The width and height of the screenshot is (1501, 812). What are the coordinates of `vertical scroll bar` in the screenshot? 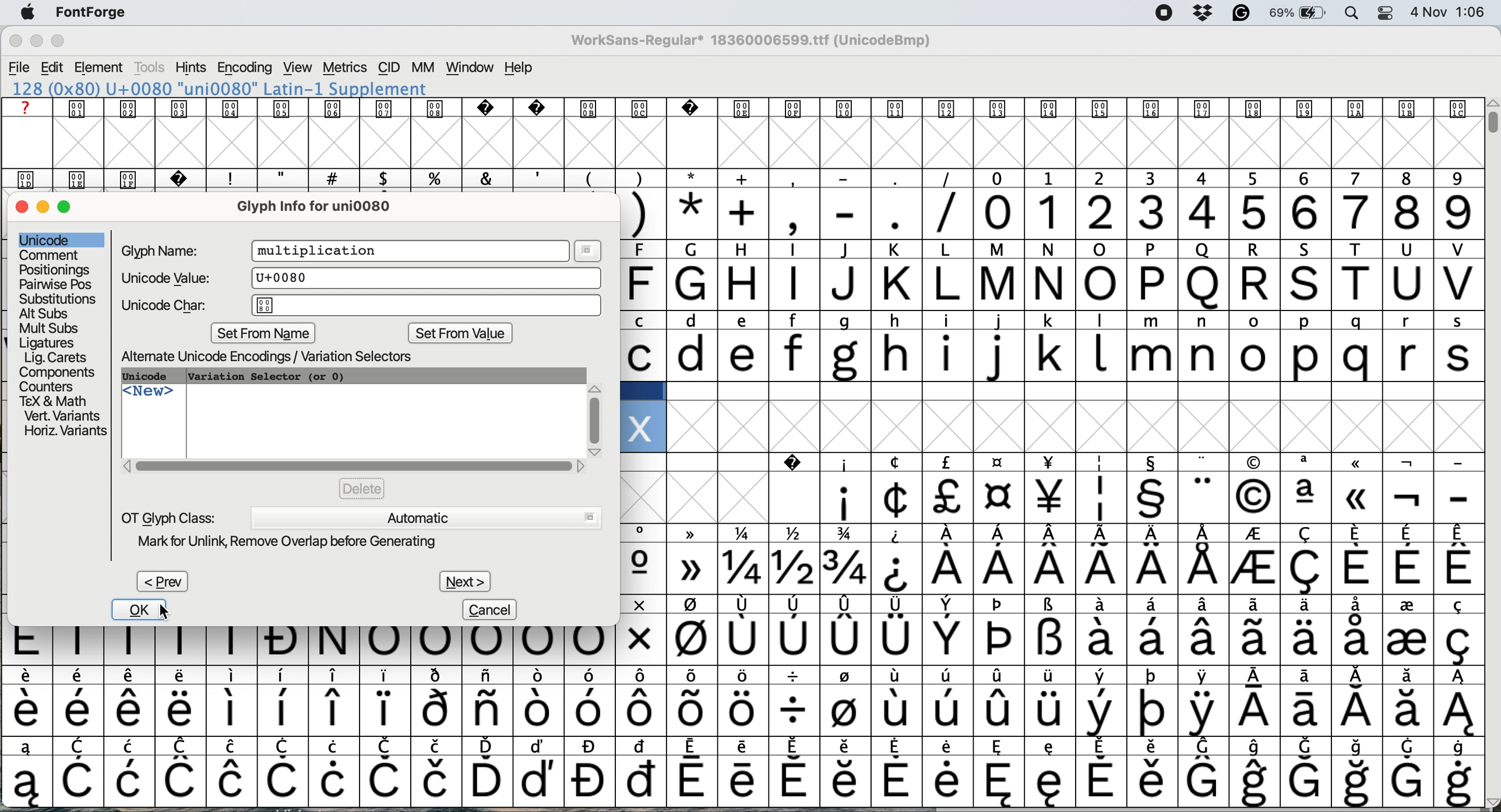 It's located at (595, 415).